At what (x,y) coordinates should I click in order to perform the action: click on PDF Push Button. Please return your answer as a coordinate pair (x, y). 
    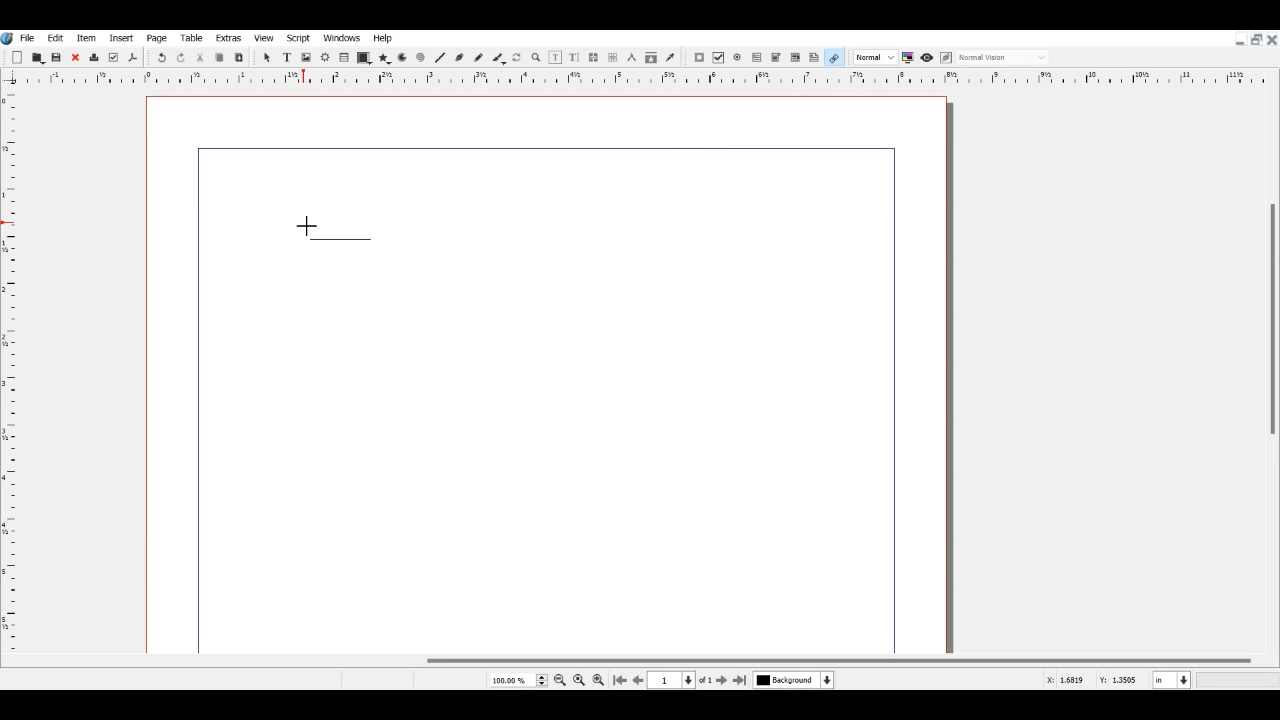
    Looking at the image, I should click on (699, 58).